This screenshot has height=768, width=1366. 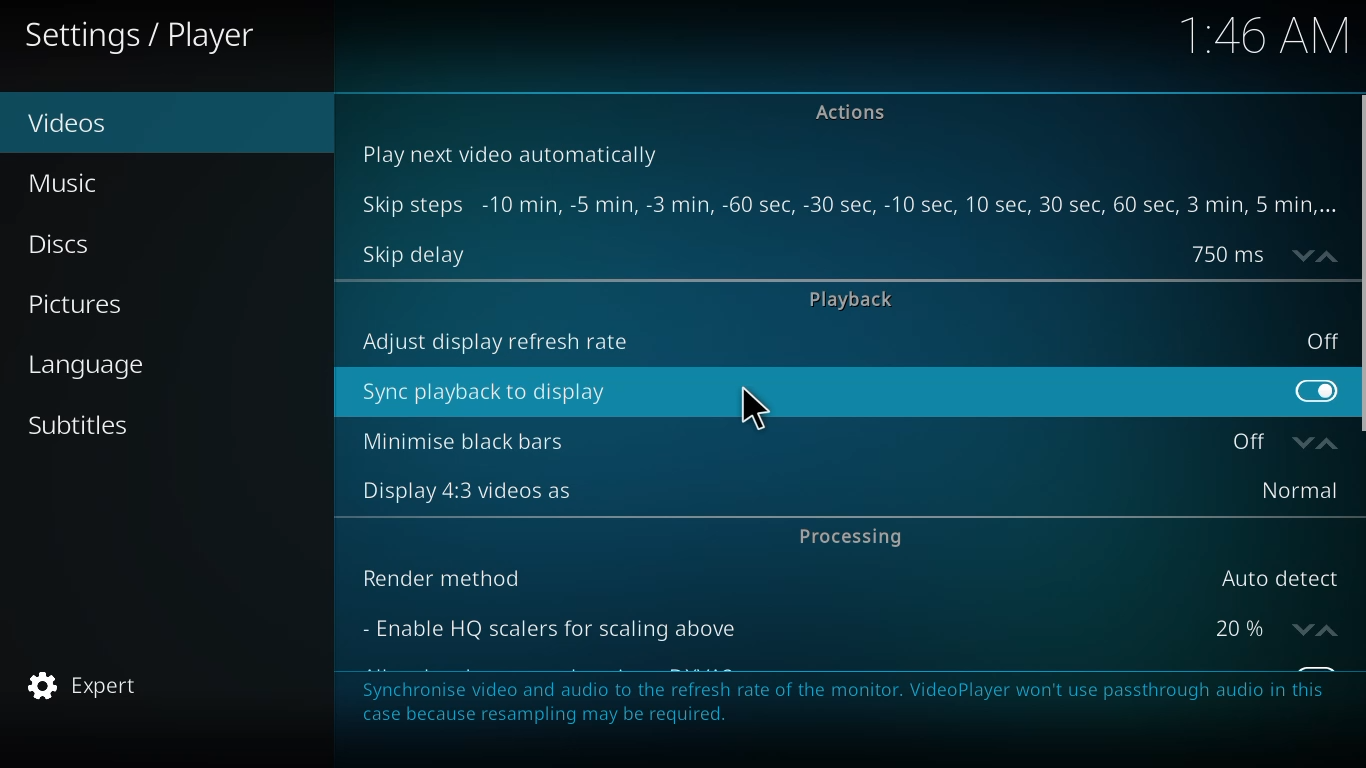 What do you see at coordinates (407, 254) in the screenshot?
I see `skip delay` at bounding box center [407, 254].